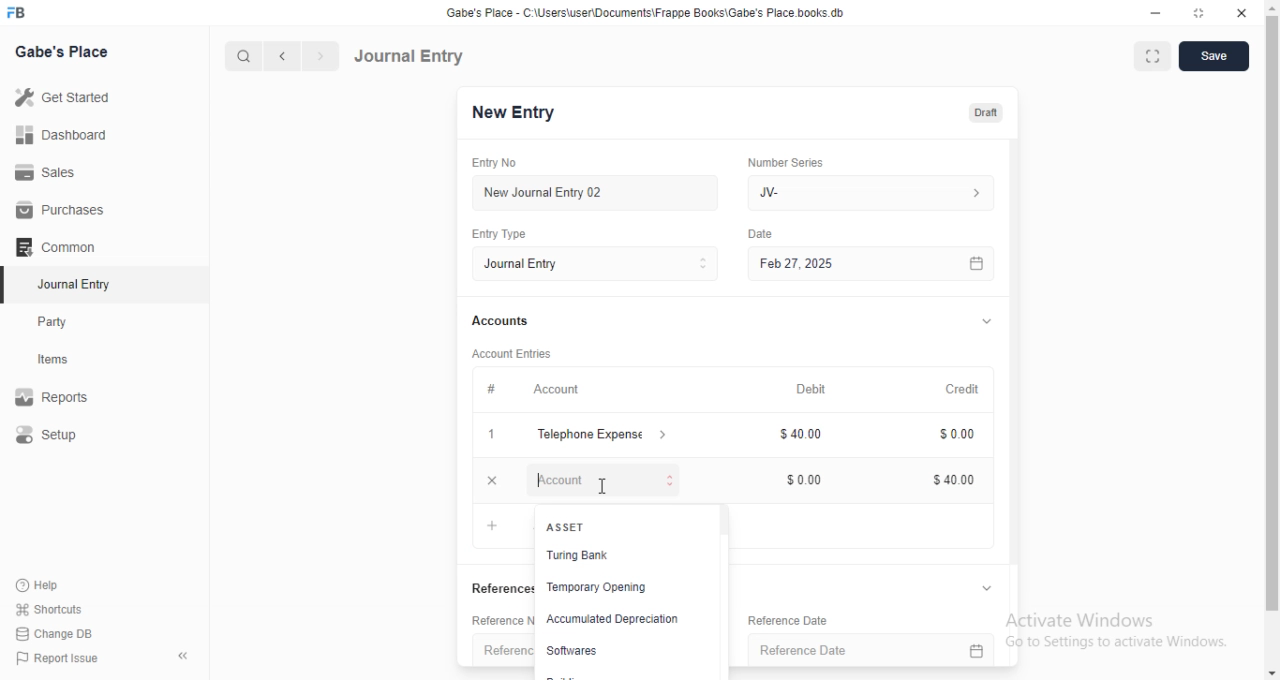 This screenshot has height=680, width=1280. I want to click on Gabe's Place, so click(63, 51).